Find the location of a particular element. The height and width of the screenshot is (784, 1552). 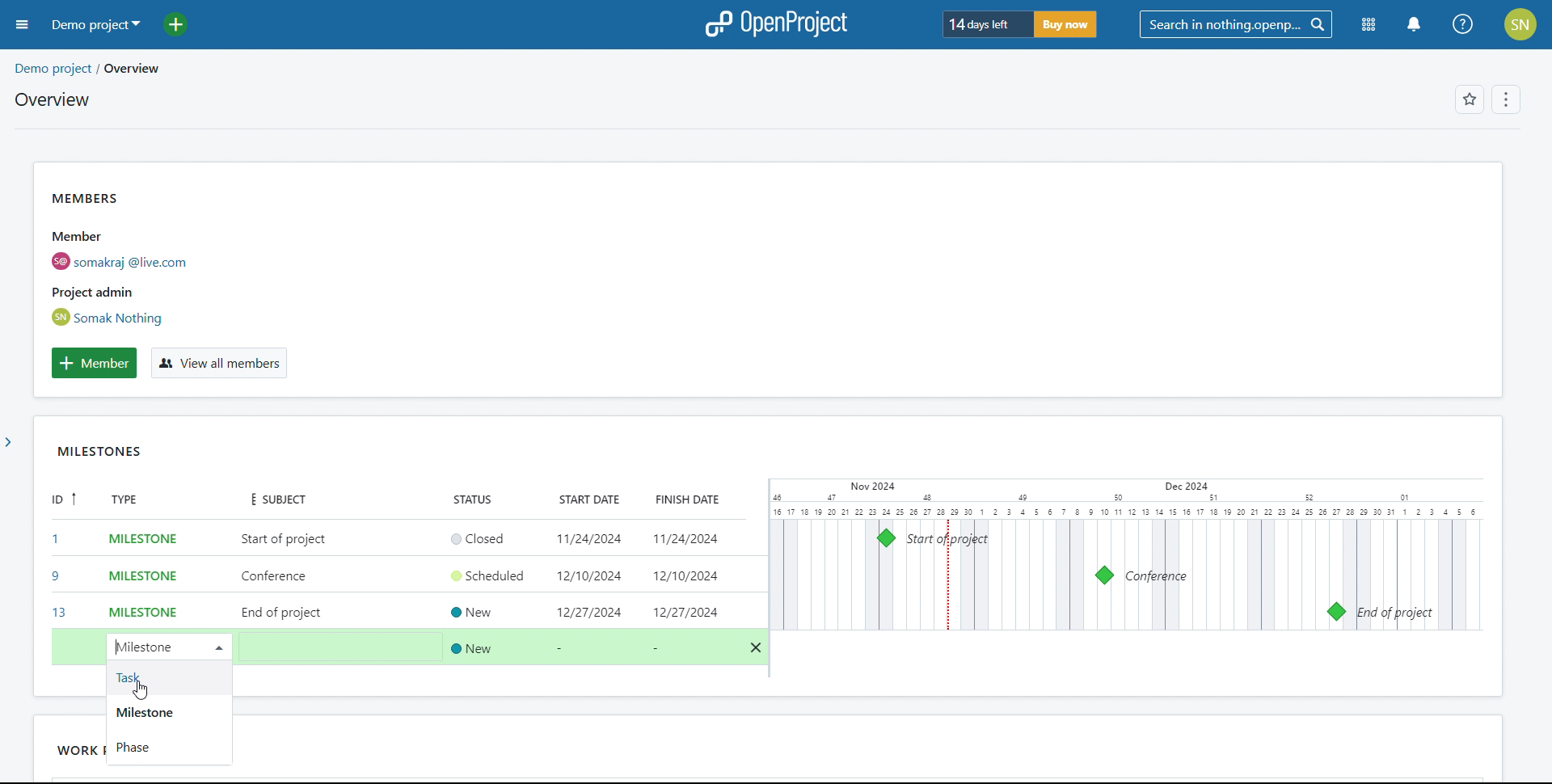

set type is located at coordinates (134, 573).